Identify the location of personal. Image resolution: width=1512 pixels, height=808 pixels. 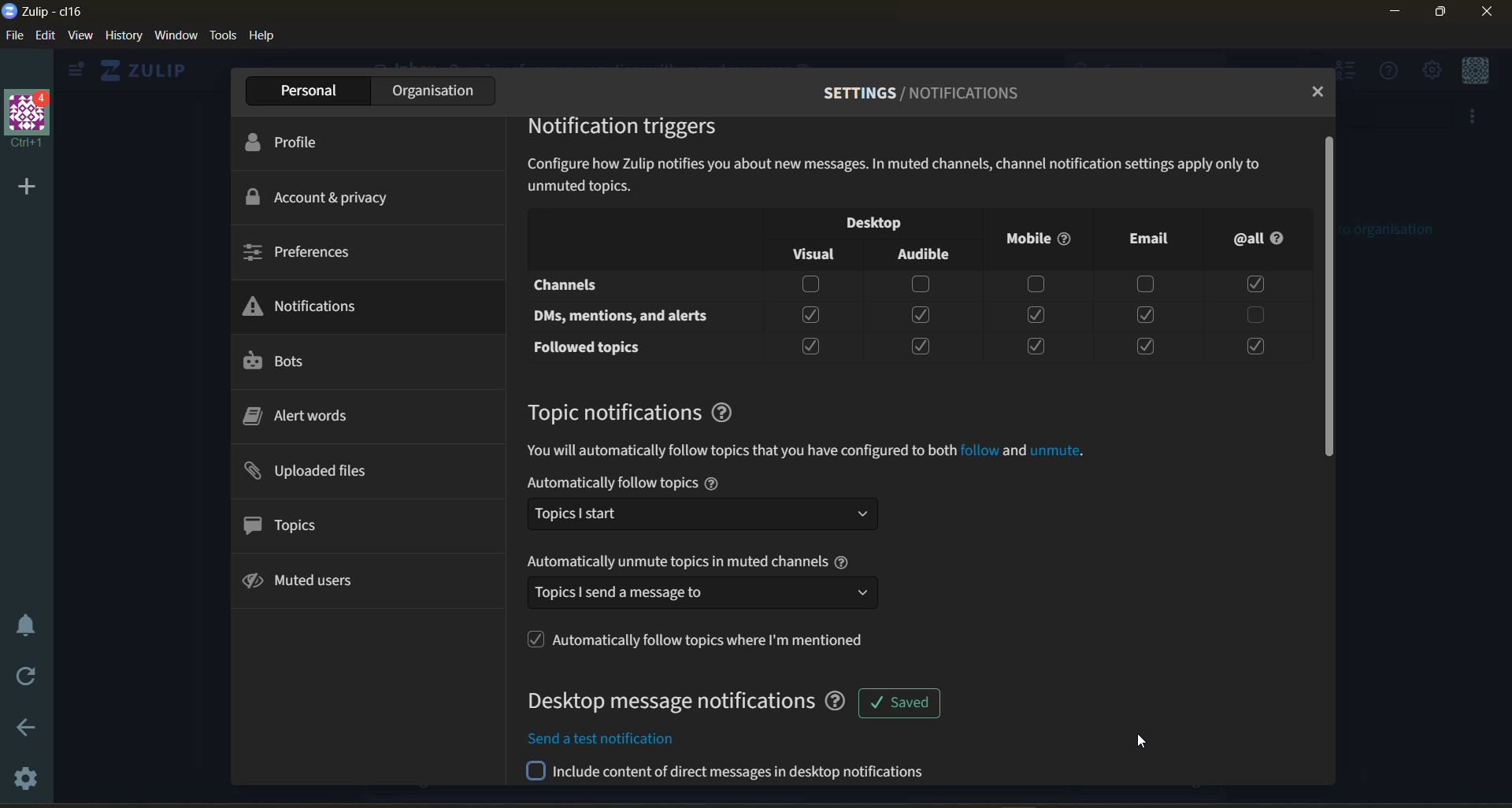
(302, 90).